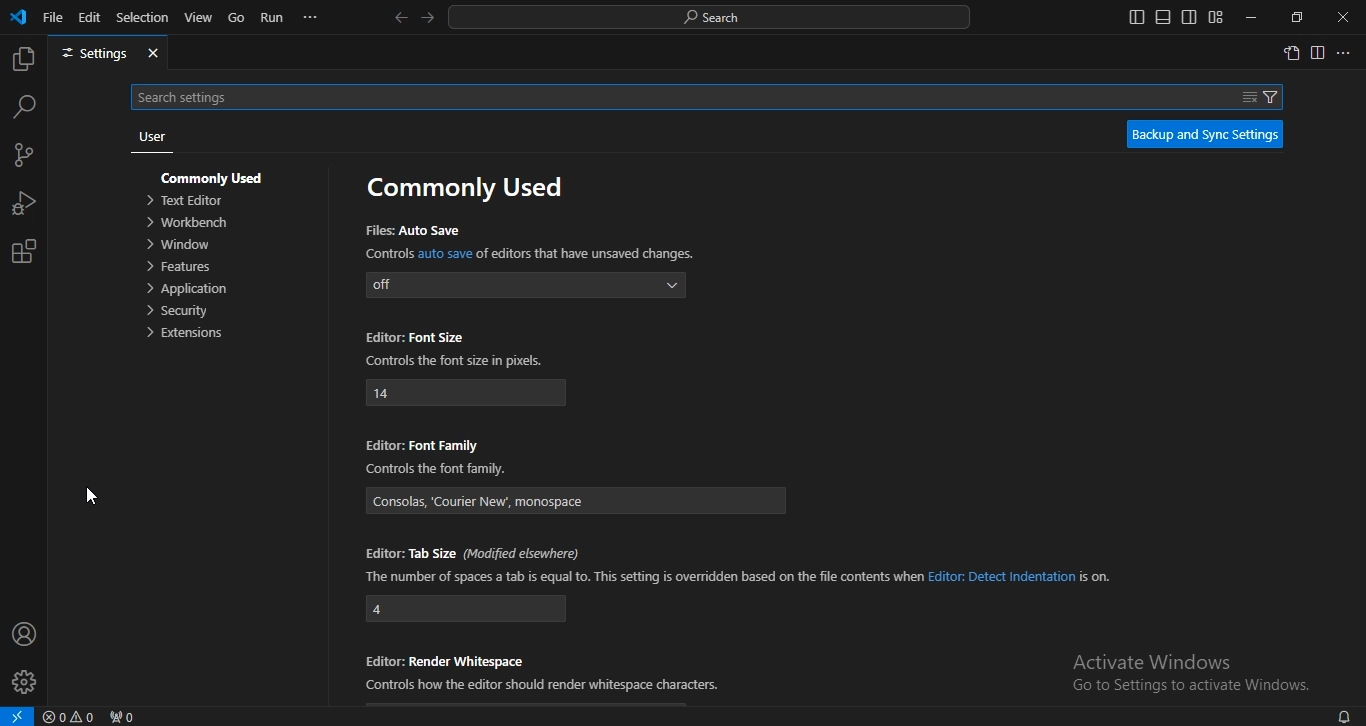  Describe the element at coordinates (193, 222) in the screenshot. I see `workbench` at that location.